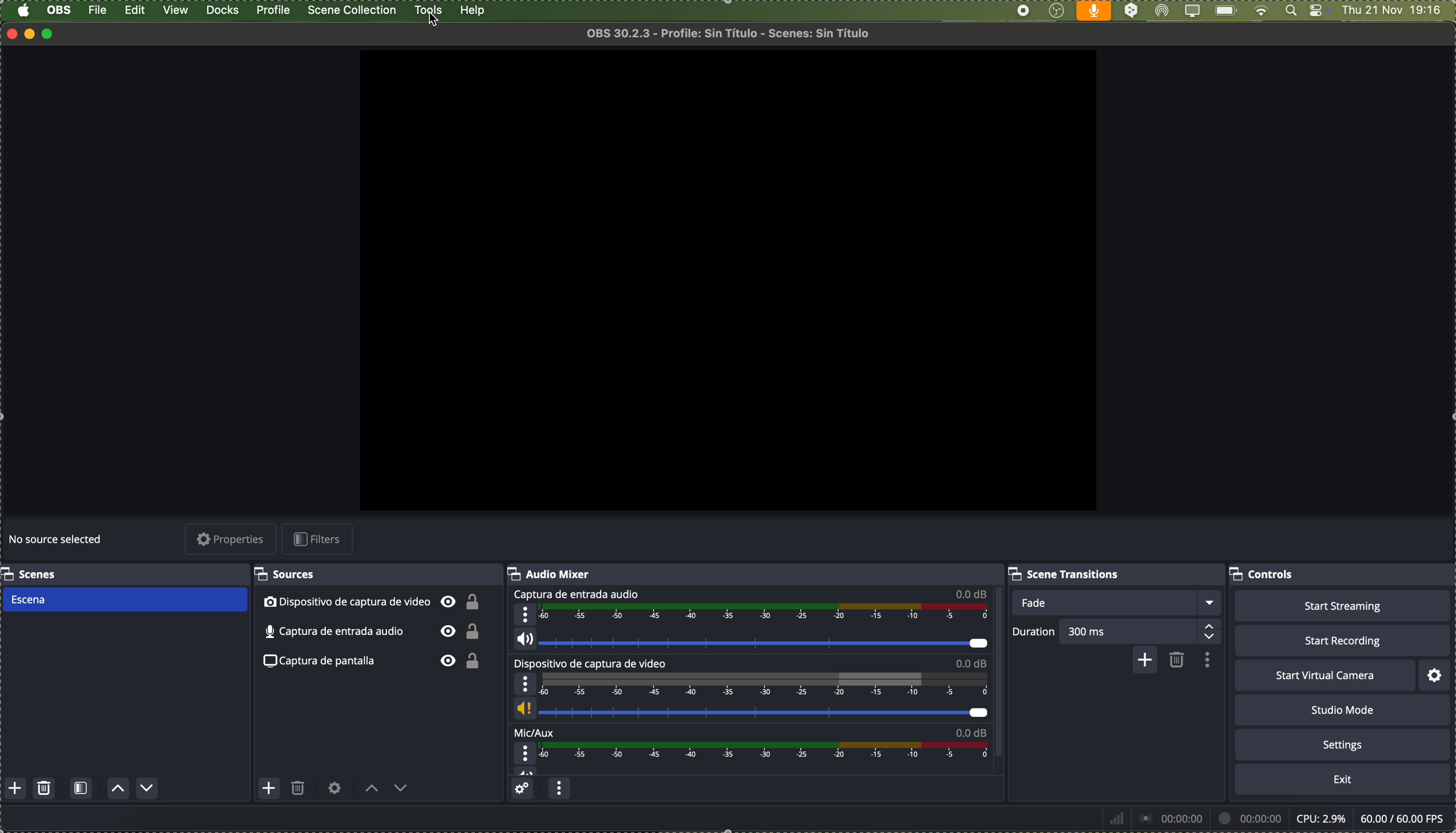  What do you see at coordinates (748, 619) in the screenshot?
I see `audio input capture` at bounding box center [748, 619].